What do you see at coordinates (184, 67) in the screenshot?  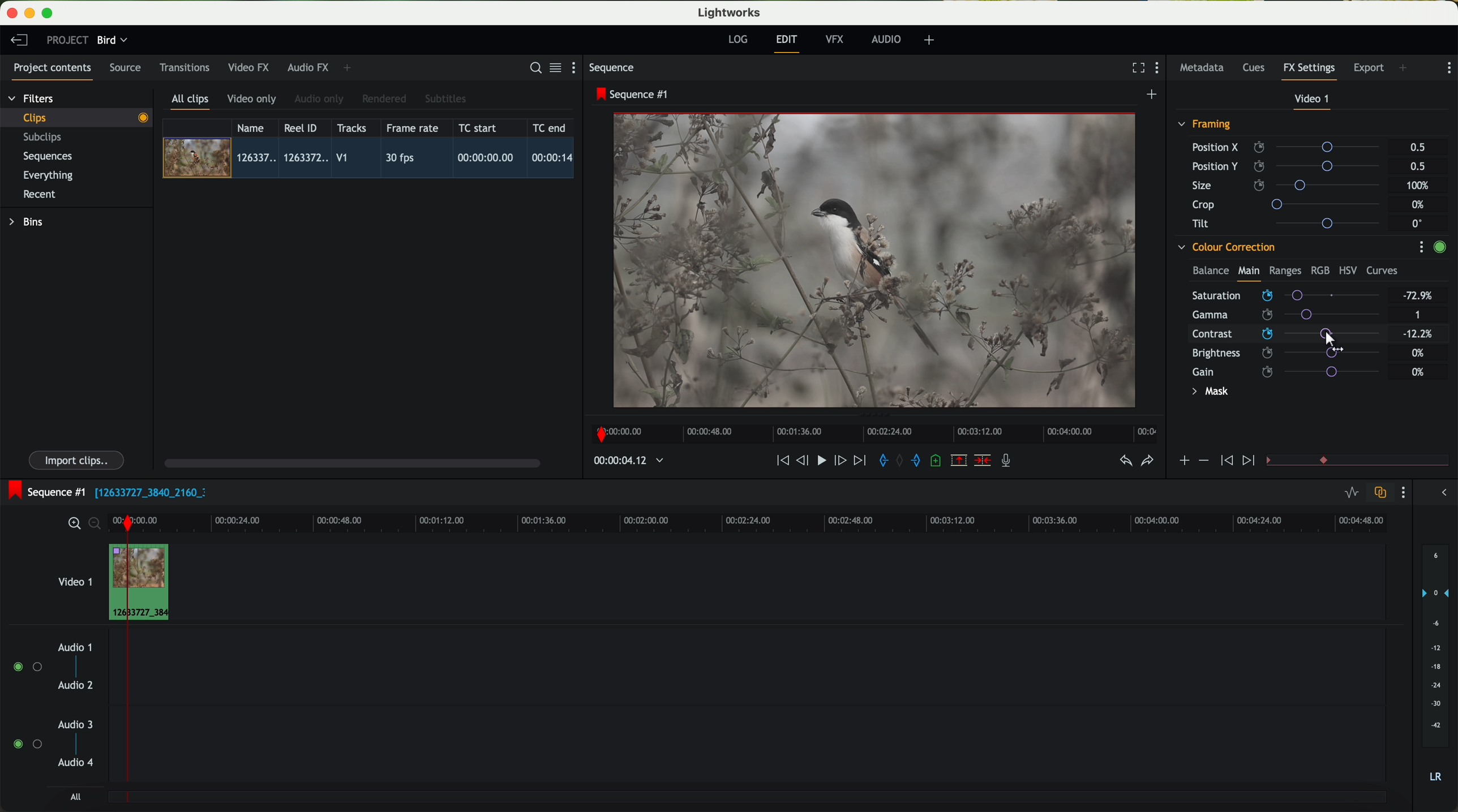 I see `transitions` at bounding box center [184, 67].